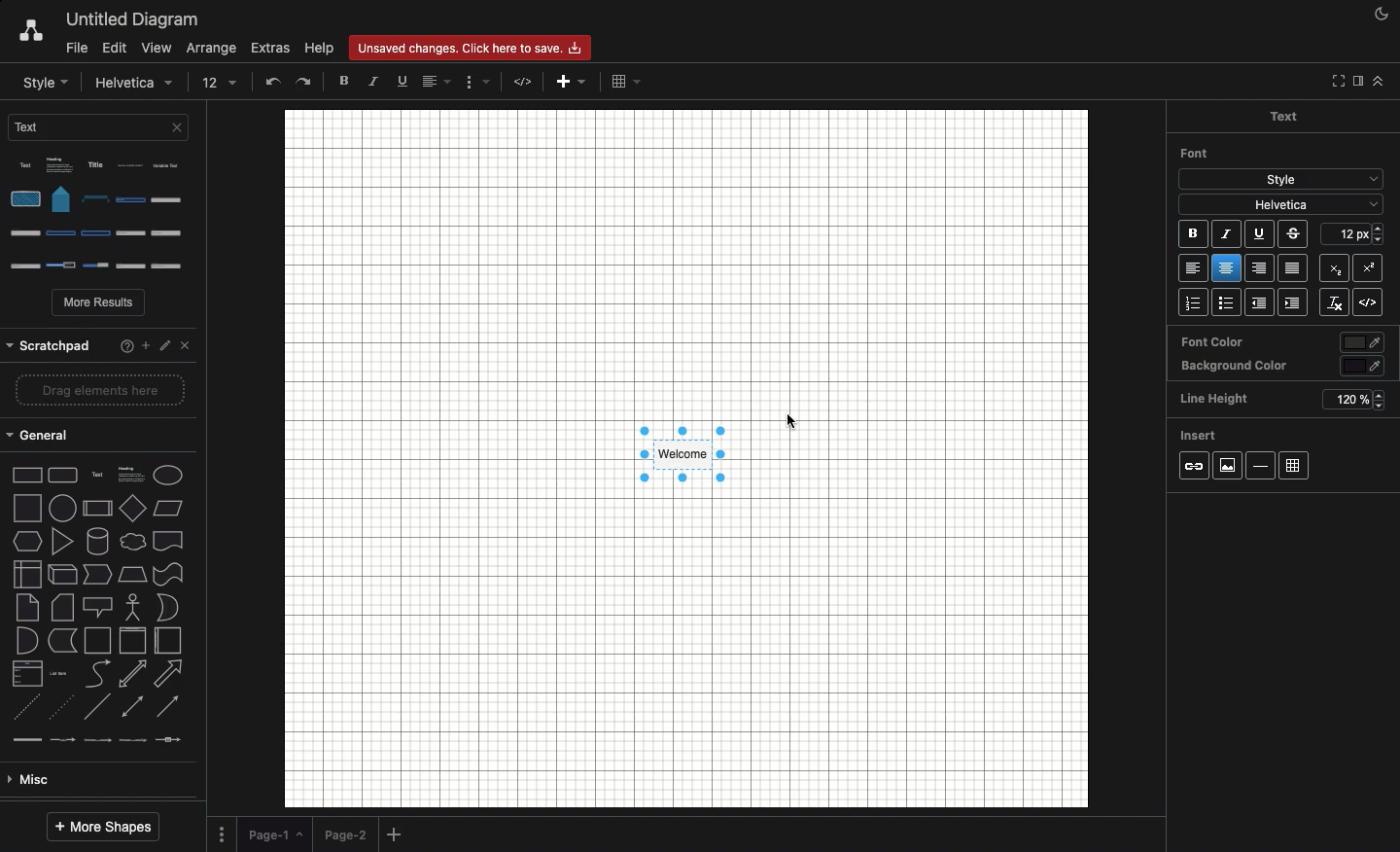  Describe the element at coordinates (1283, 180) in the screenshot. I see `Style` at that location.